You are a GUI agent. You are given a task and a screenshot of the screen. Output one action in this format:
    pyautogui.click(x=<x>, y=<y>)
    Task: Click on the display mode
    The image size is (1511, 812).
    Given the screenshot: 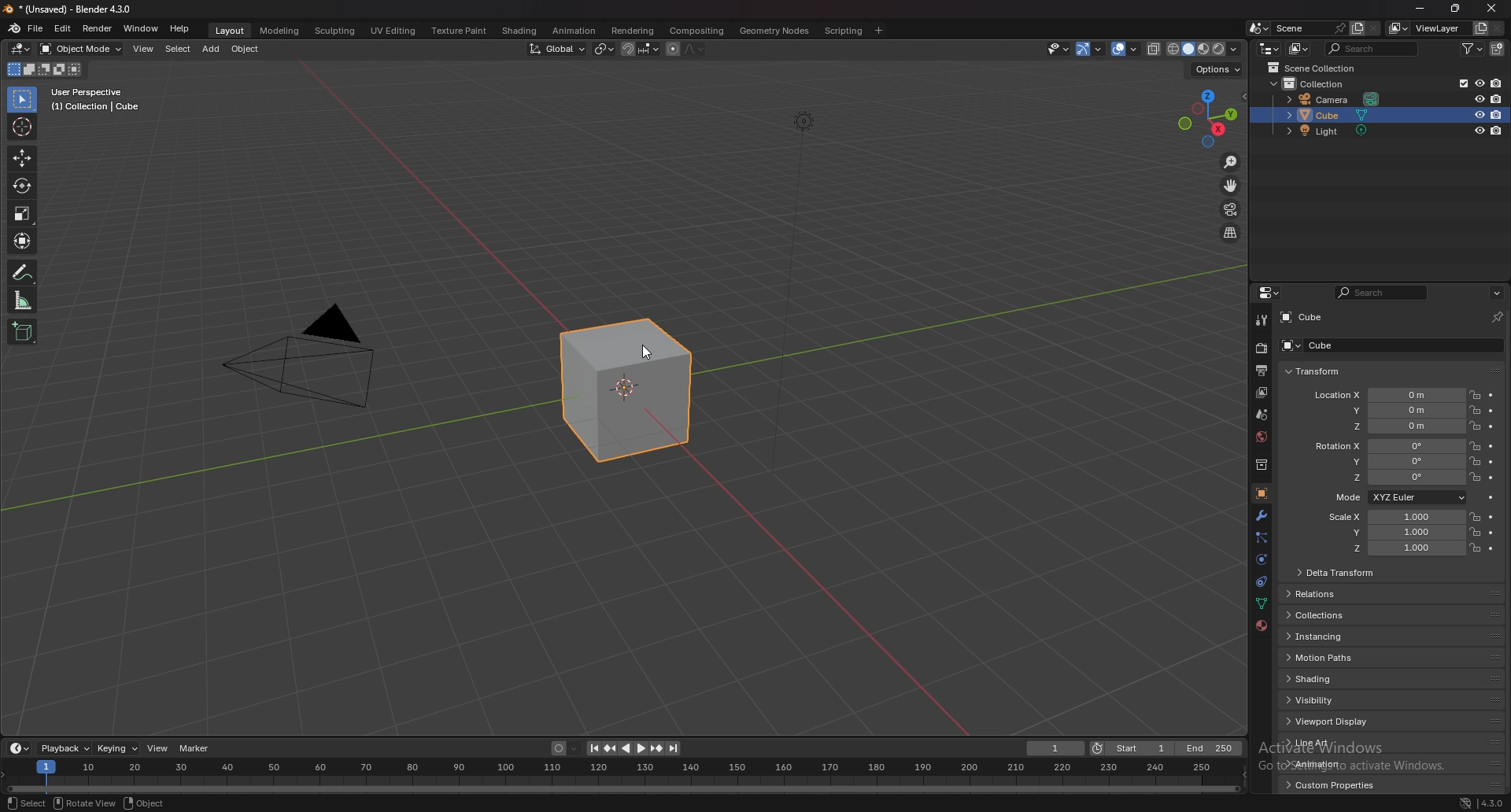 What is the action you would take?
    pyautogui.click(x=1299, y=48)
    